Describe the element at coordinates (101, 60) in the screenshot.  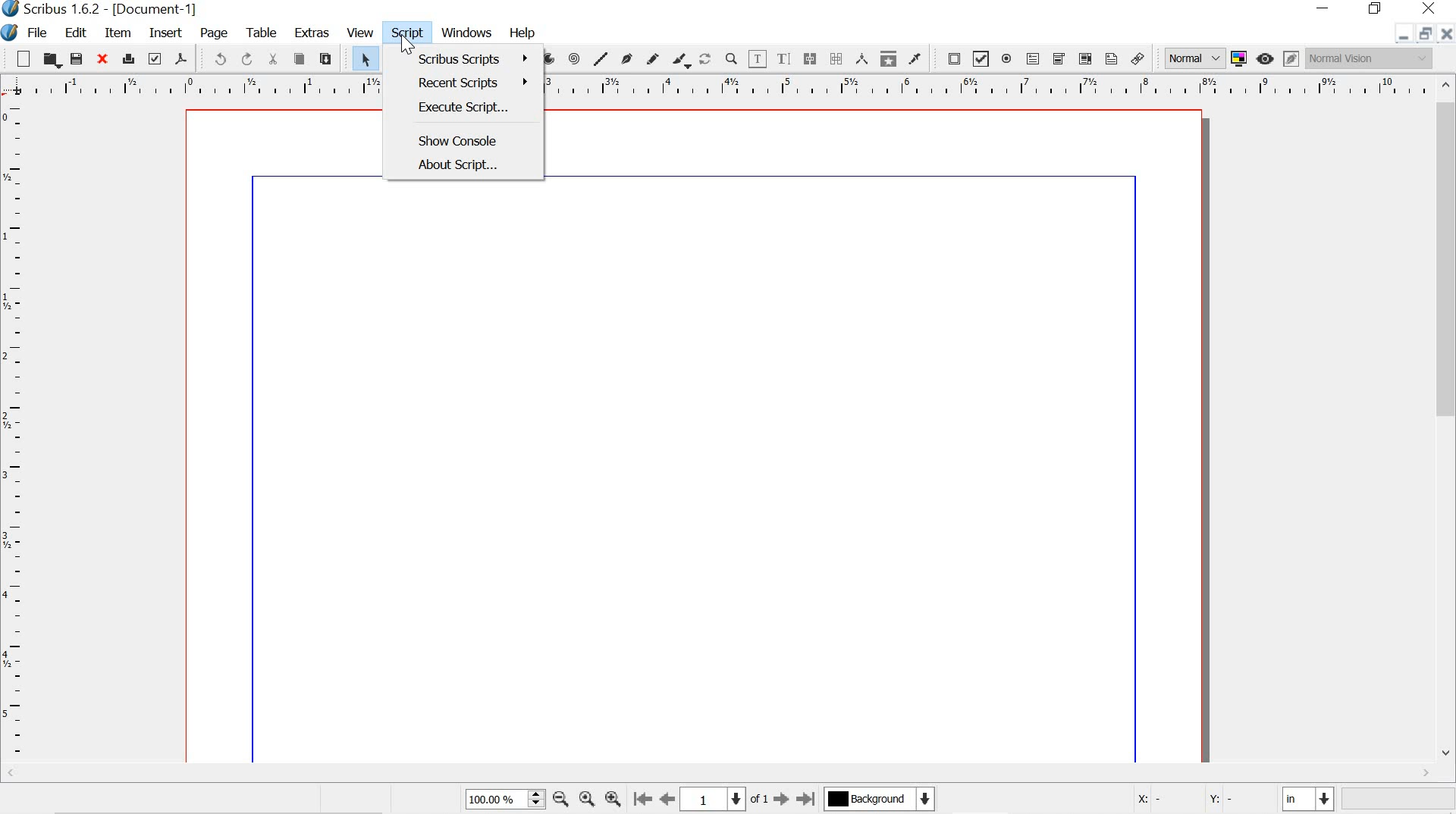
I see `close` at that location.